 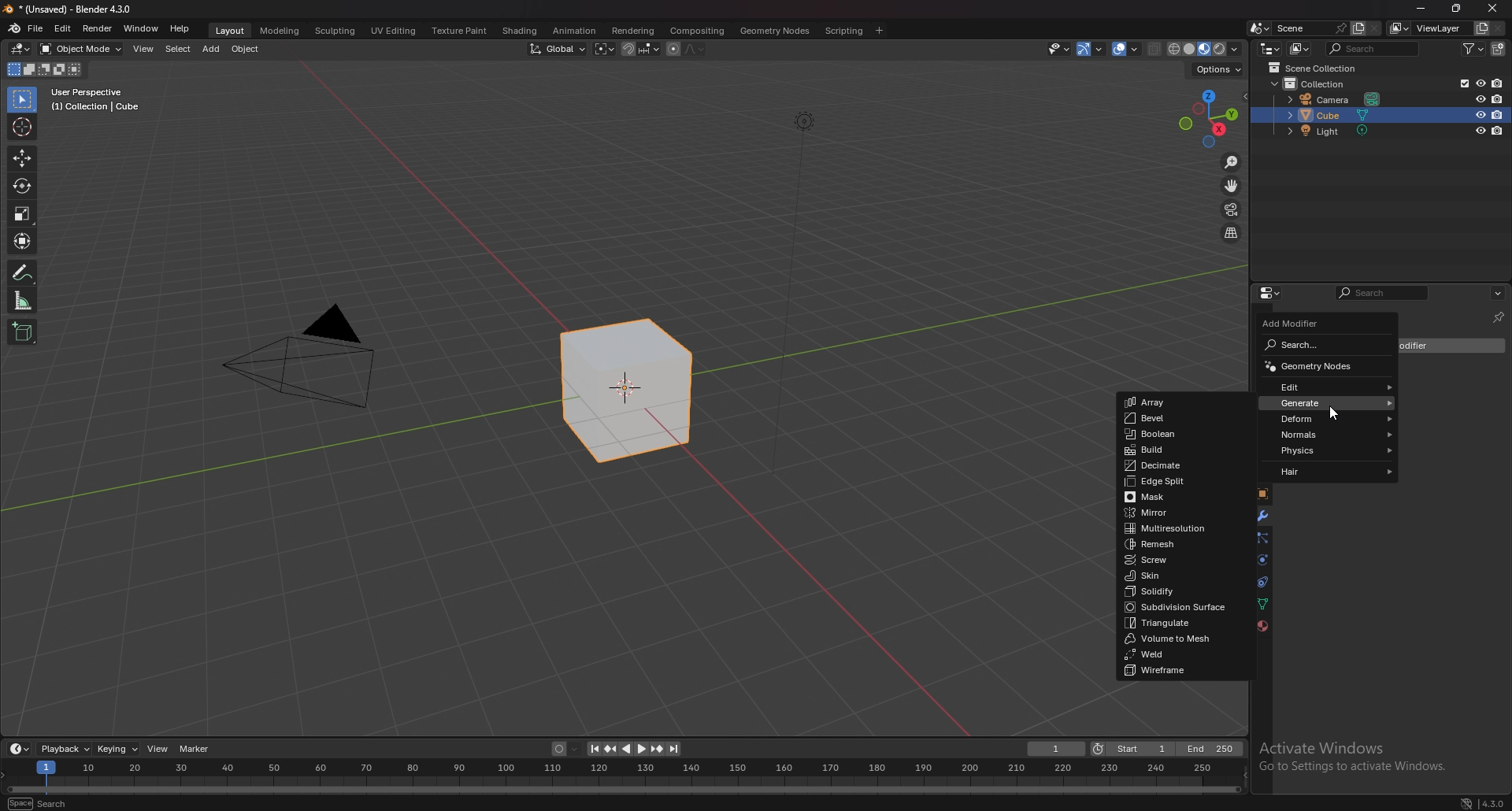 I want to click on help, so click(x=180, y=28).